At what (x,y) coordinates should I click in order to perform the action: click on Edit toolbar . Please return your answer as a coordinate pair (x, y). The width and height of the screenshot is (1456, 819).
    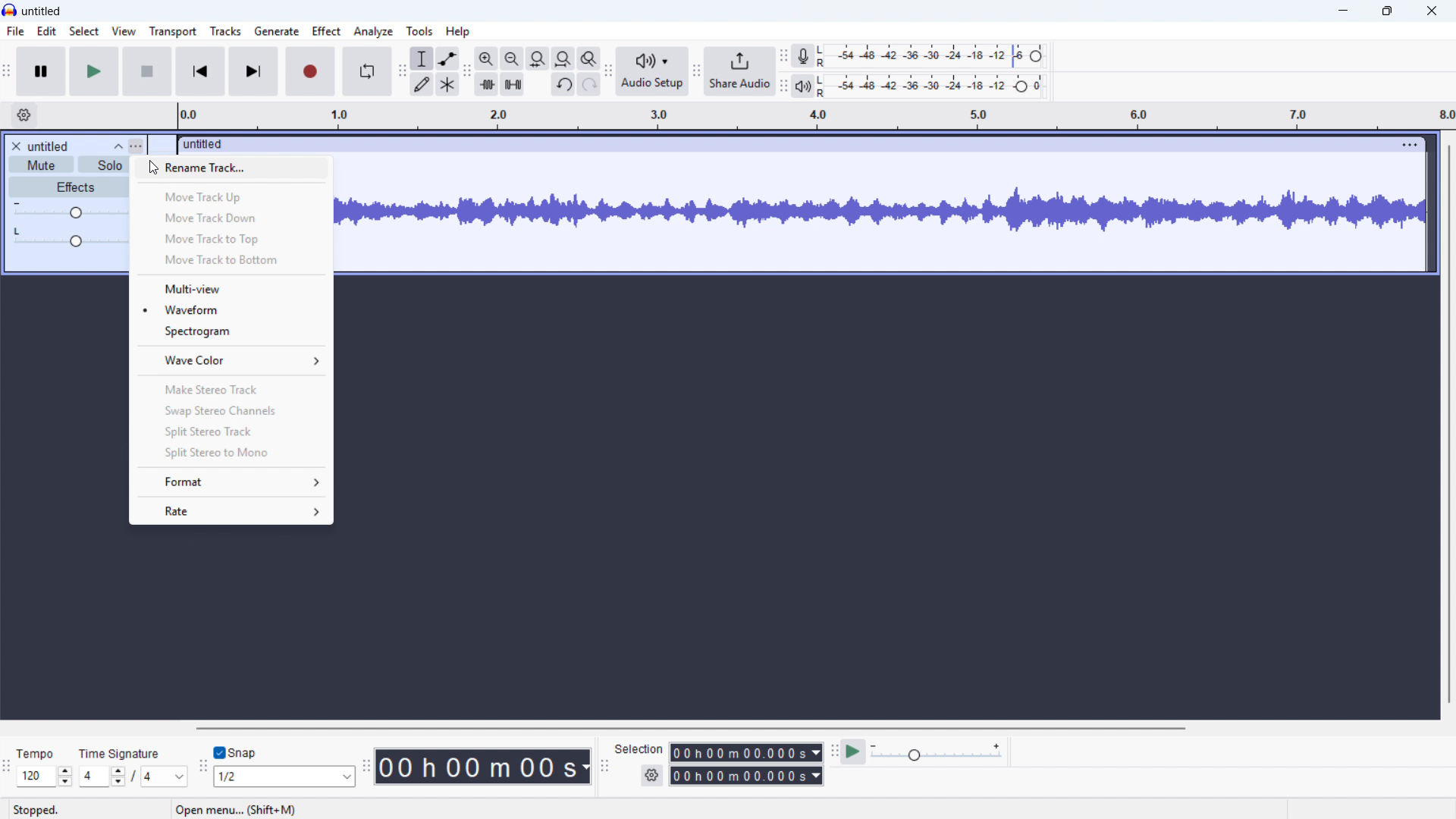
    Looking at the image, I should click on (467, 72).